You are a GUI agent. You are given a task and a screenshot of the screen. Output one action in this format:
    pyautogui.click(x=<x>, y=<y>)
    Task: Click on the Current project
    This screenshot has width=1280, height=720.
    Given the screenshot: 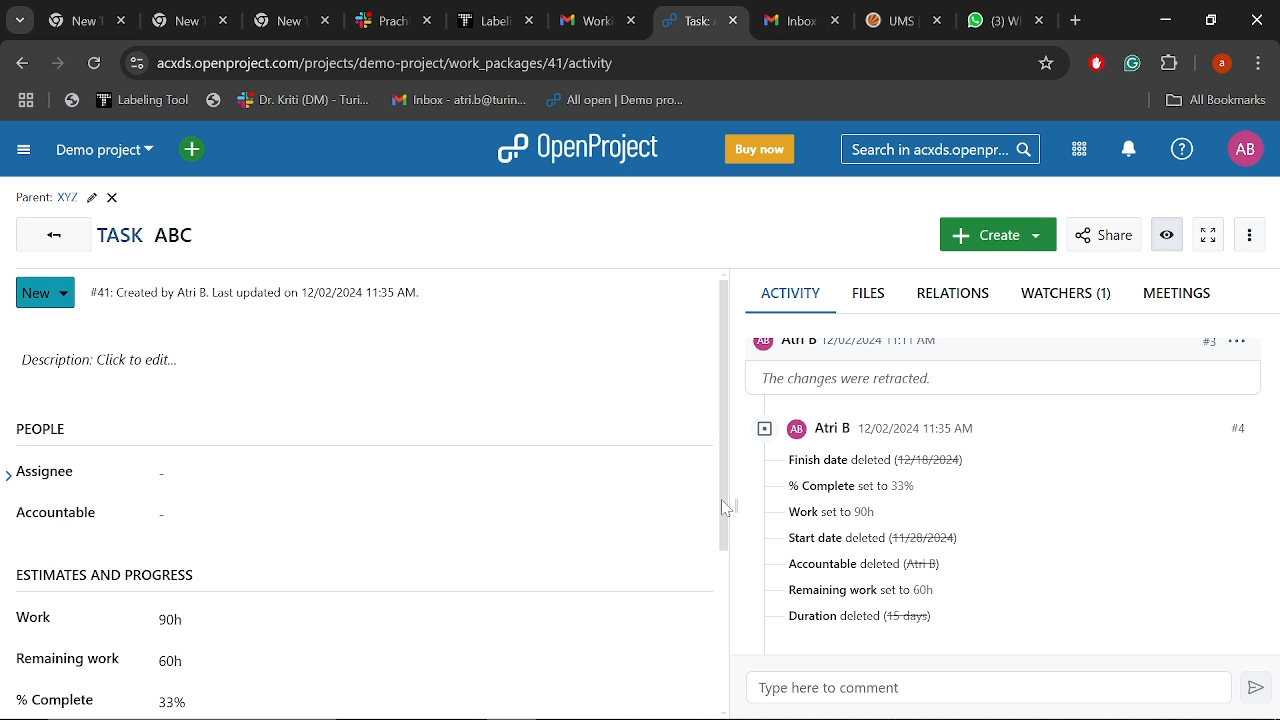 What is the action you would take?
    pyautogui.click(x=103, y=150)
    